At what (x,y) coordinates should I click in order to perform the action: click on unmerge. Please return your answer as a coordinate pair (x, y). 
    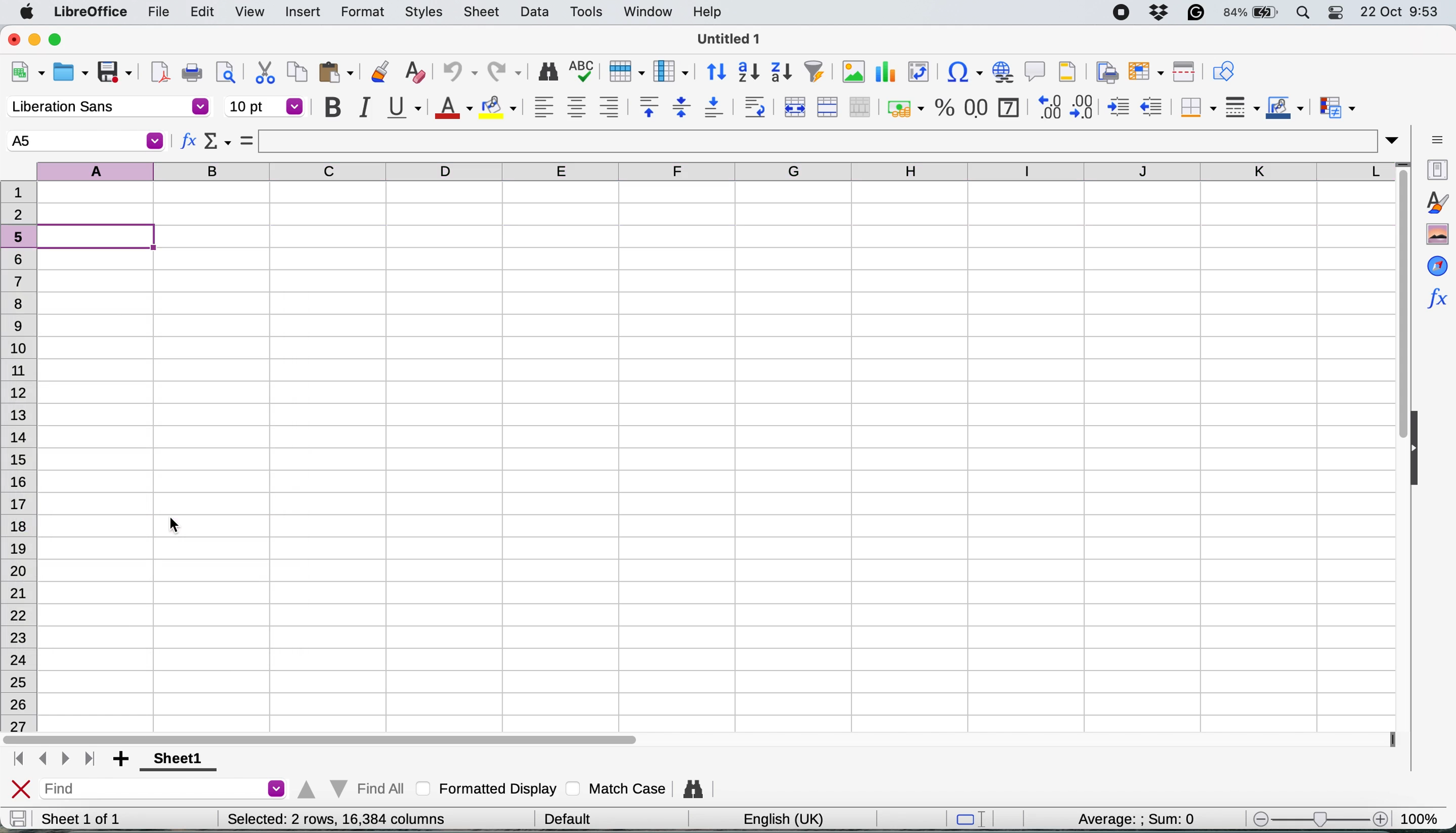
    Looking at the image, I should click on (860, 108).